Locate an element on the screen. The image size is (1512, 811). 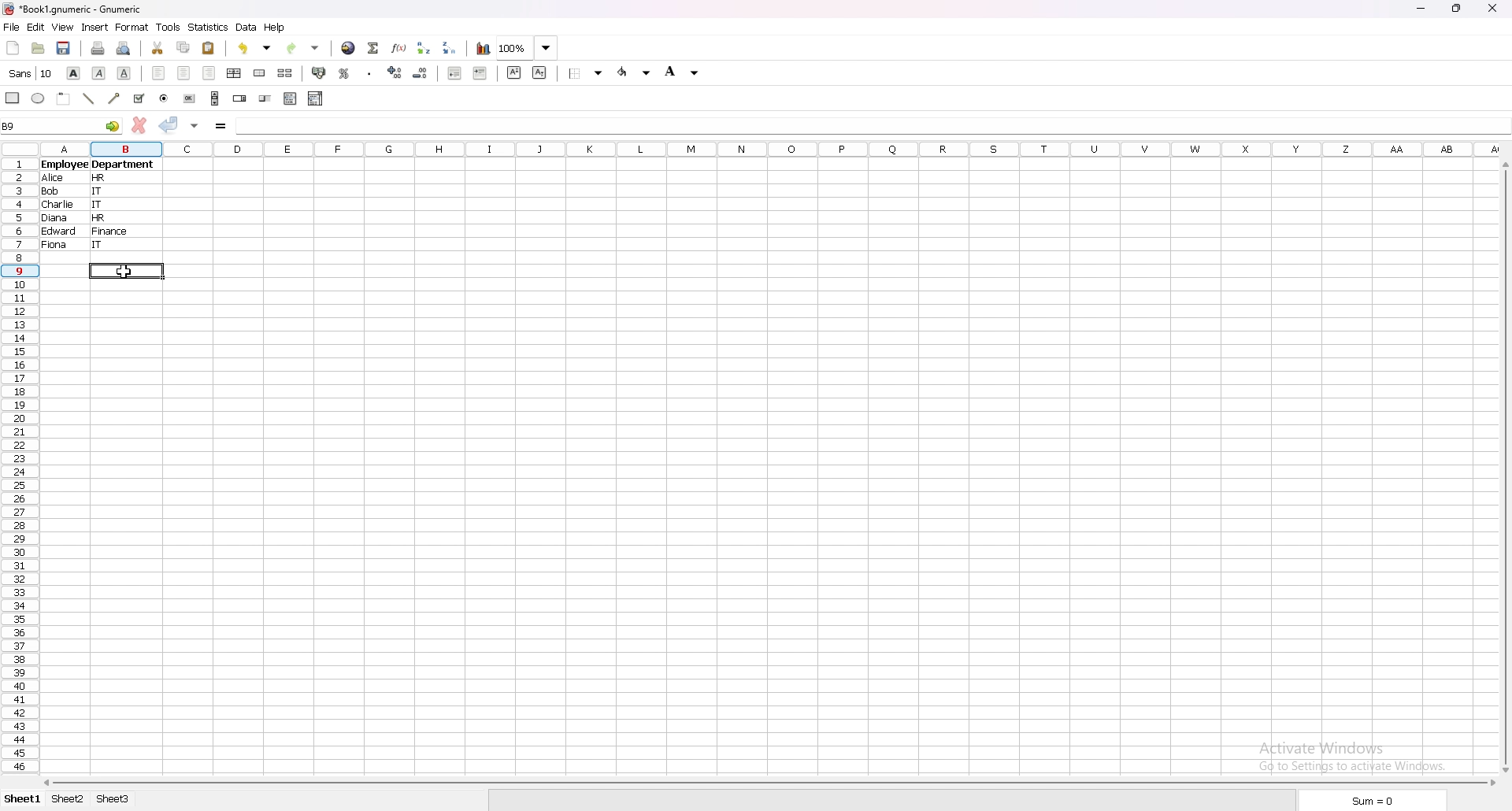
button is located at coordinates (189, 98).